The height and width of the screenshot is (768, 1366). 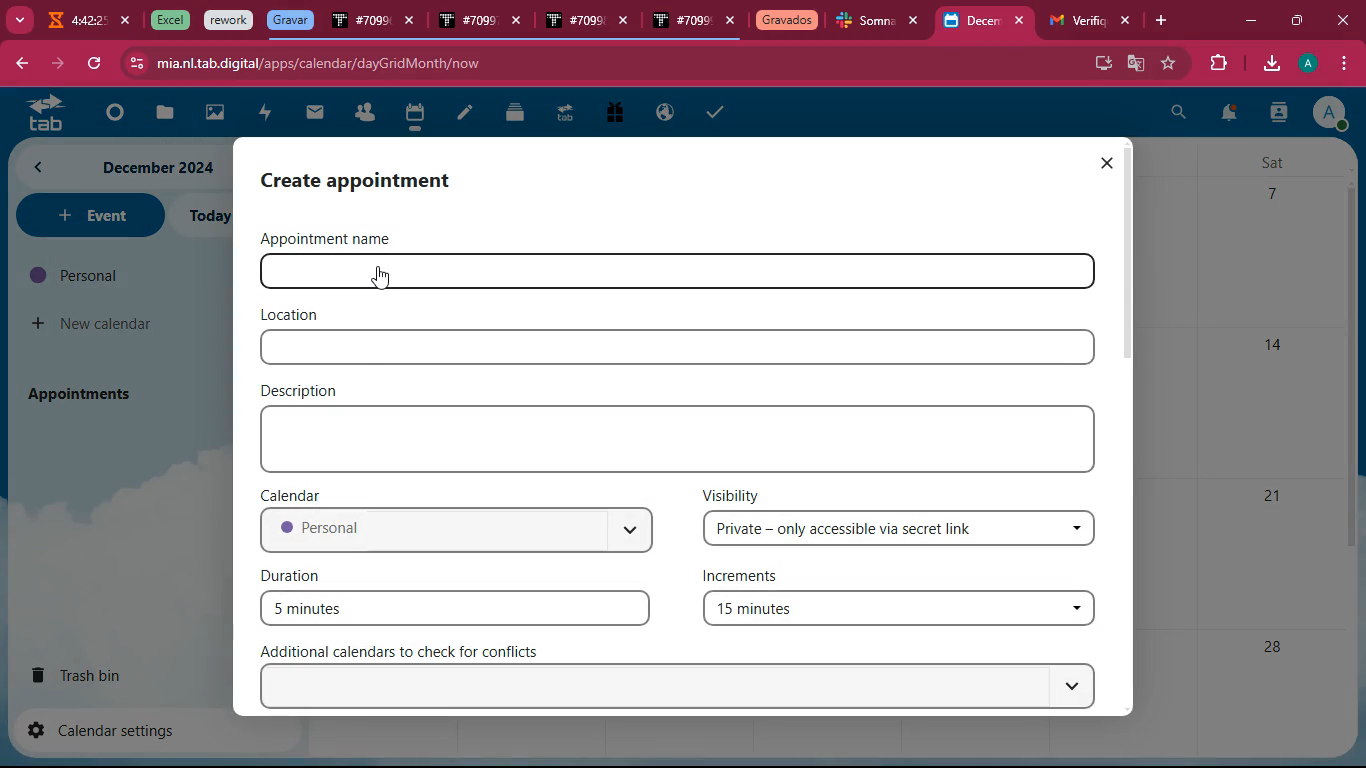 What do you see at coordinates (787, 22) in the screenshot?
I see `tab` at bounding box center [787, 22].